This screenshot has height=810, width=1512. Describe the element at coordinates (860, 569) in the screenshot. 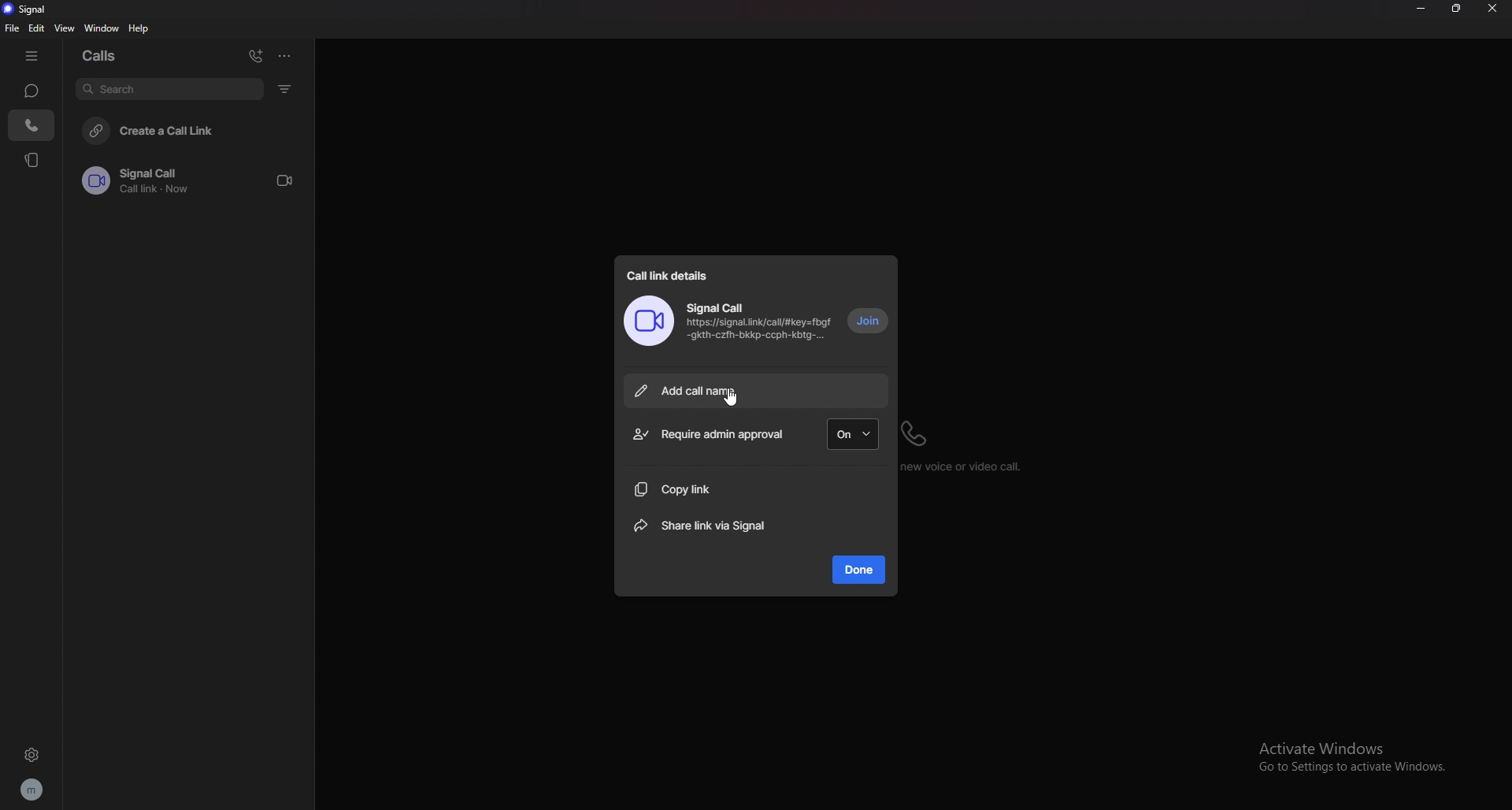

I see `done` at that location.